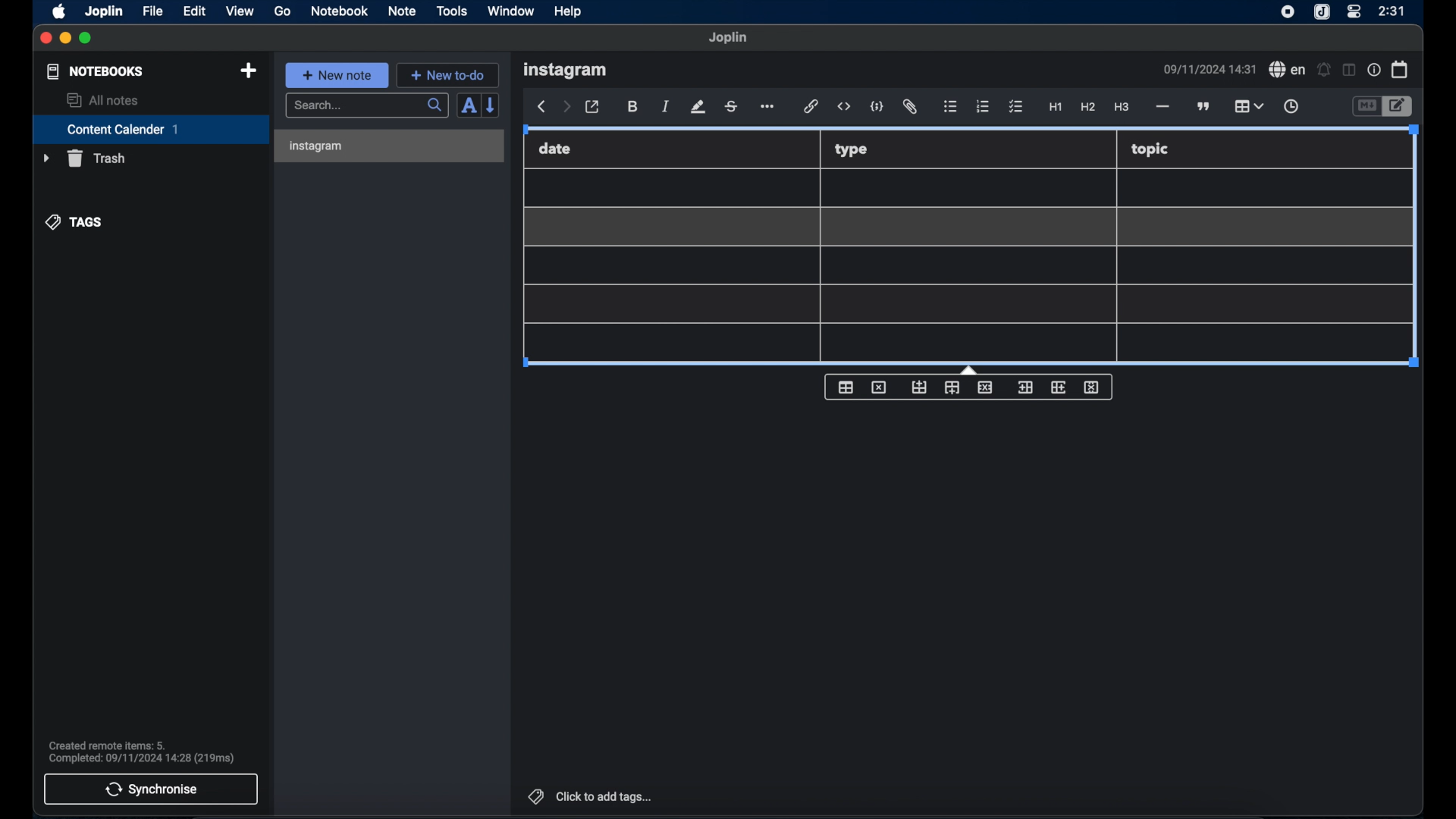  What do you see at coordinates (951, 105) in the screenshot?
I see `bulleted  list` at bounding box center [951, 105].